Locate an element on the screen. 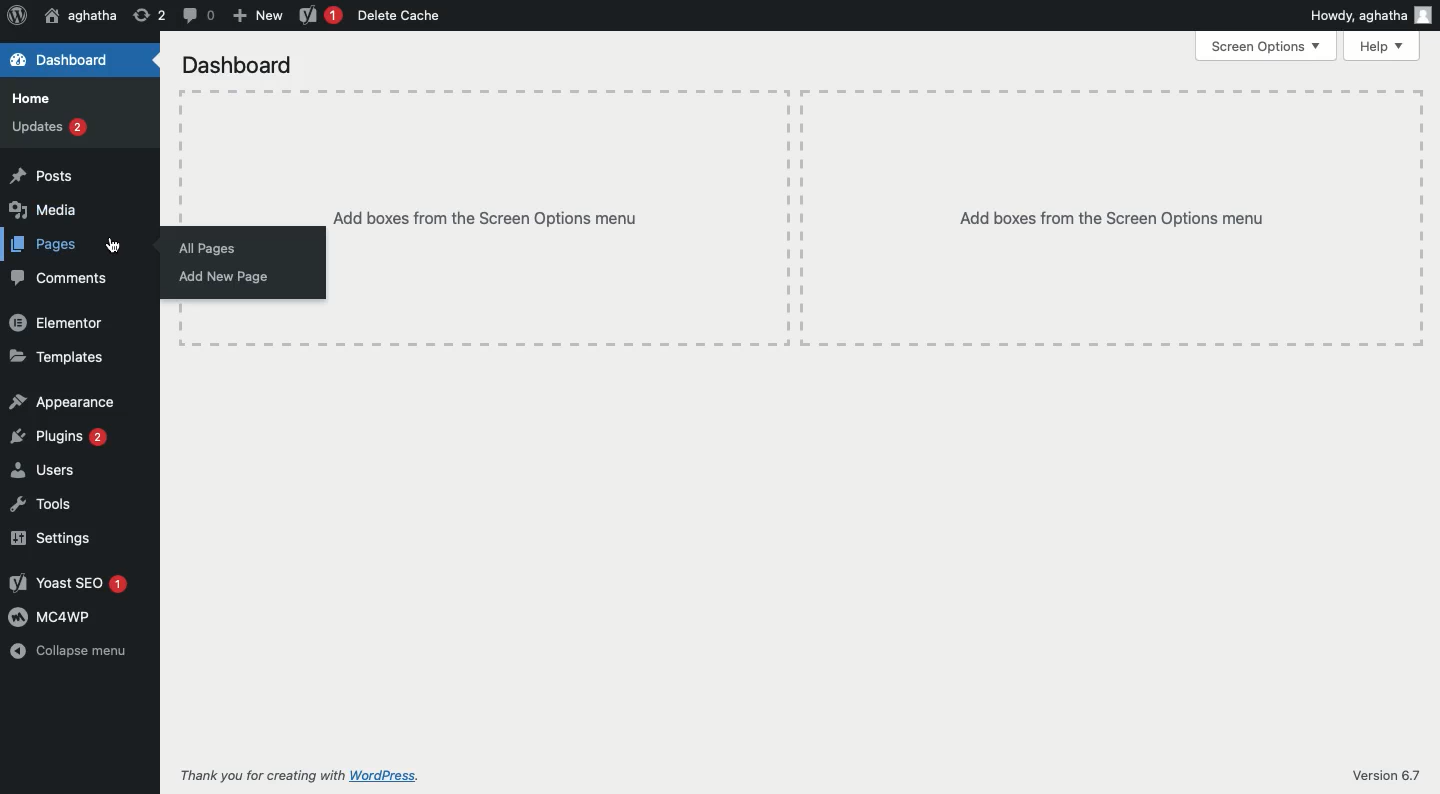 This screenshot has height=794, width=1440. Tools is located at coordinates (69, 504).